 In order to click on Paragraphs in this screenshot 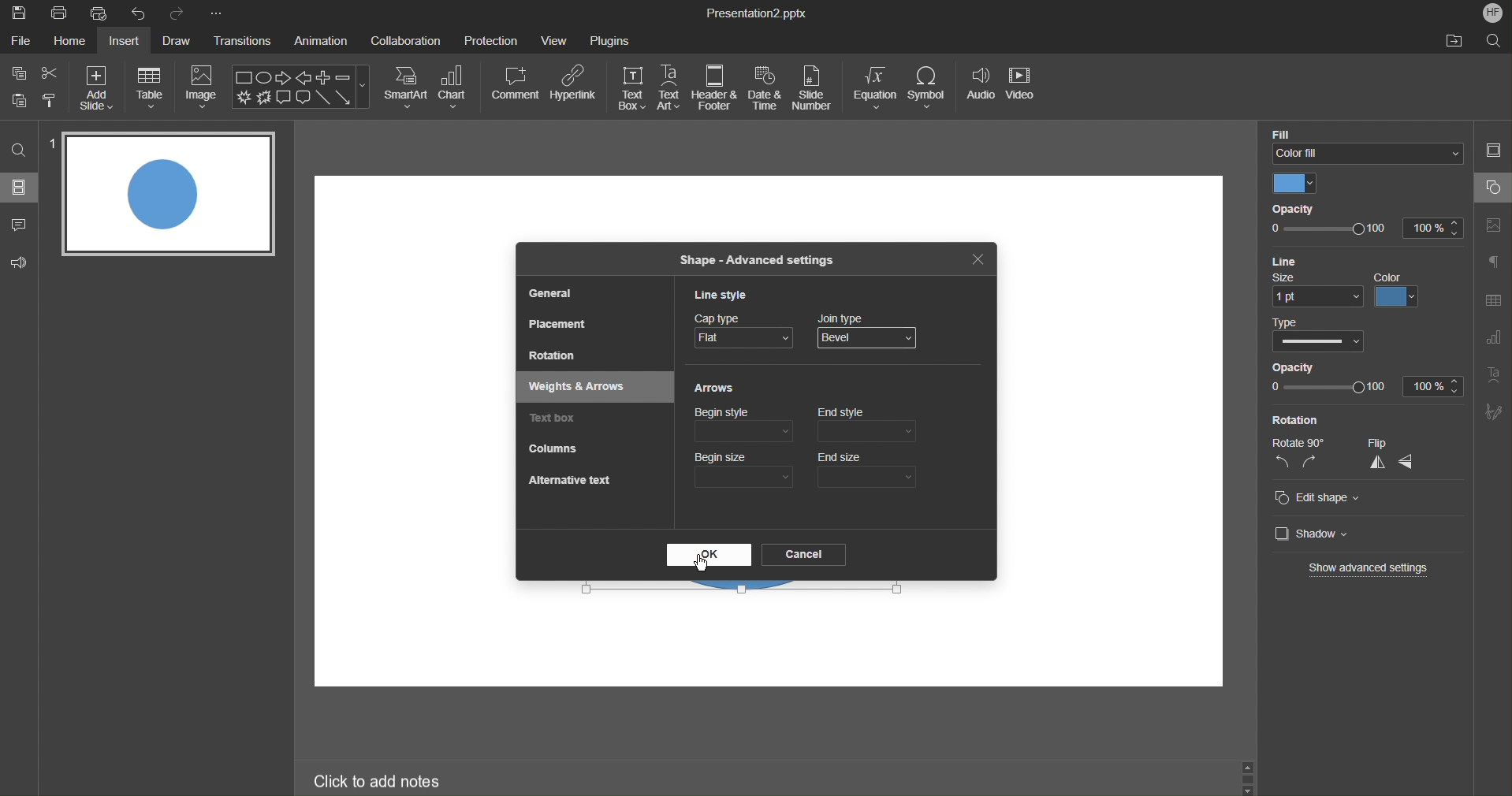, I will do `click(1494, 261)`.